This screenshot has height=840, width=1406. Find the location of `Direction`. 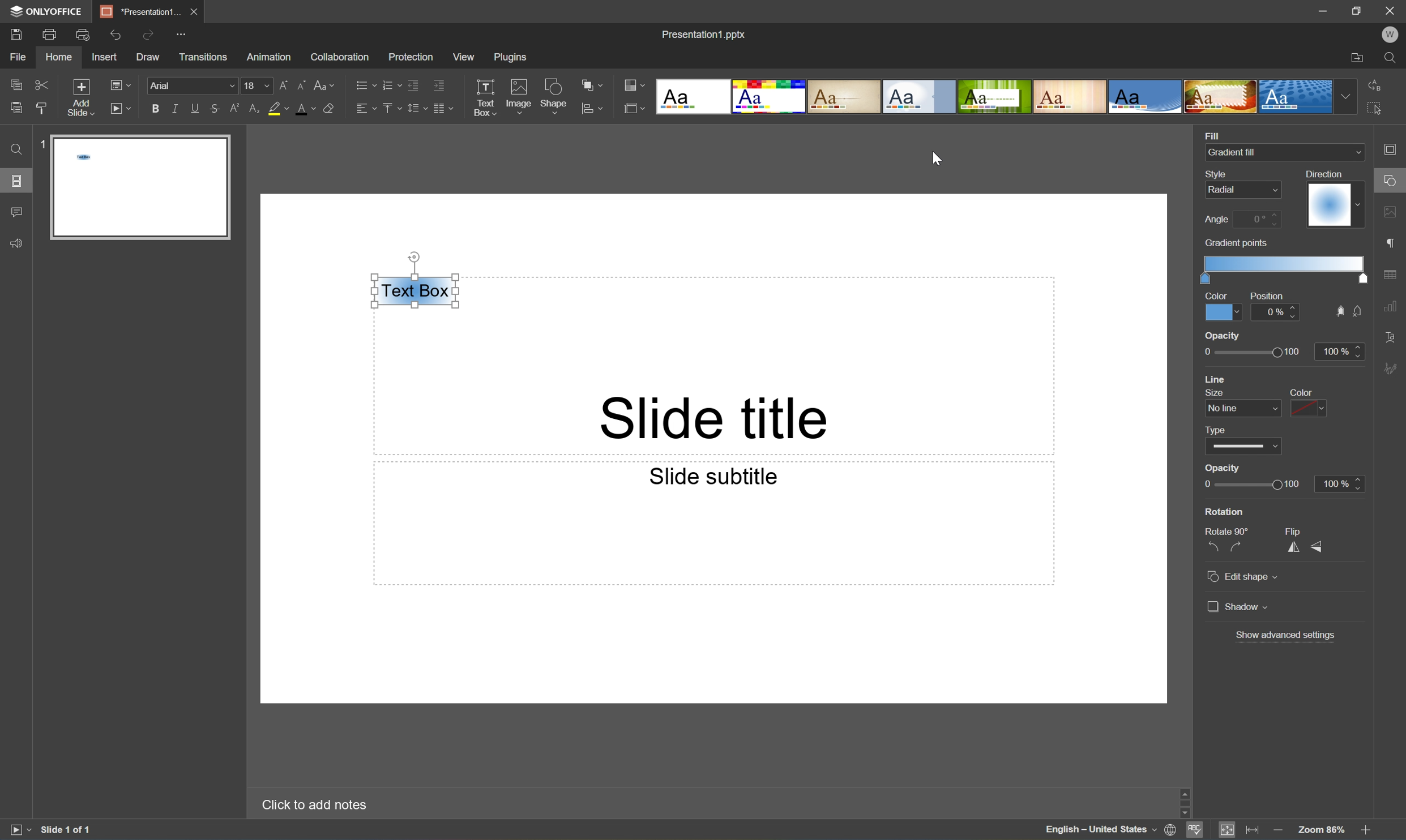

Direction is located at coordinates (1327, 173).